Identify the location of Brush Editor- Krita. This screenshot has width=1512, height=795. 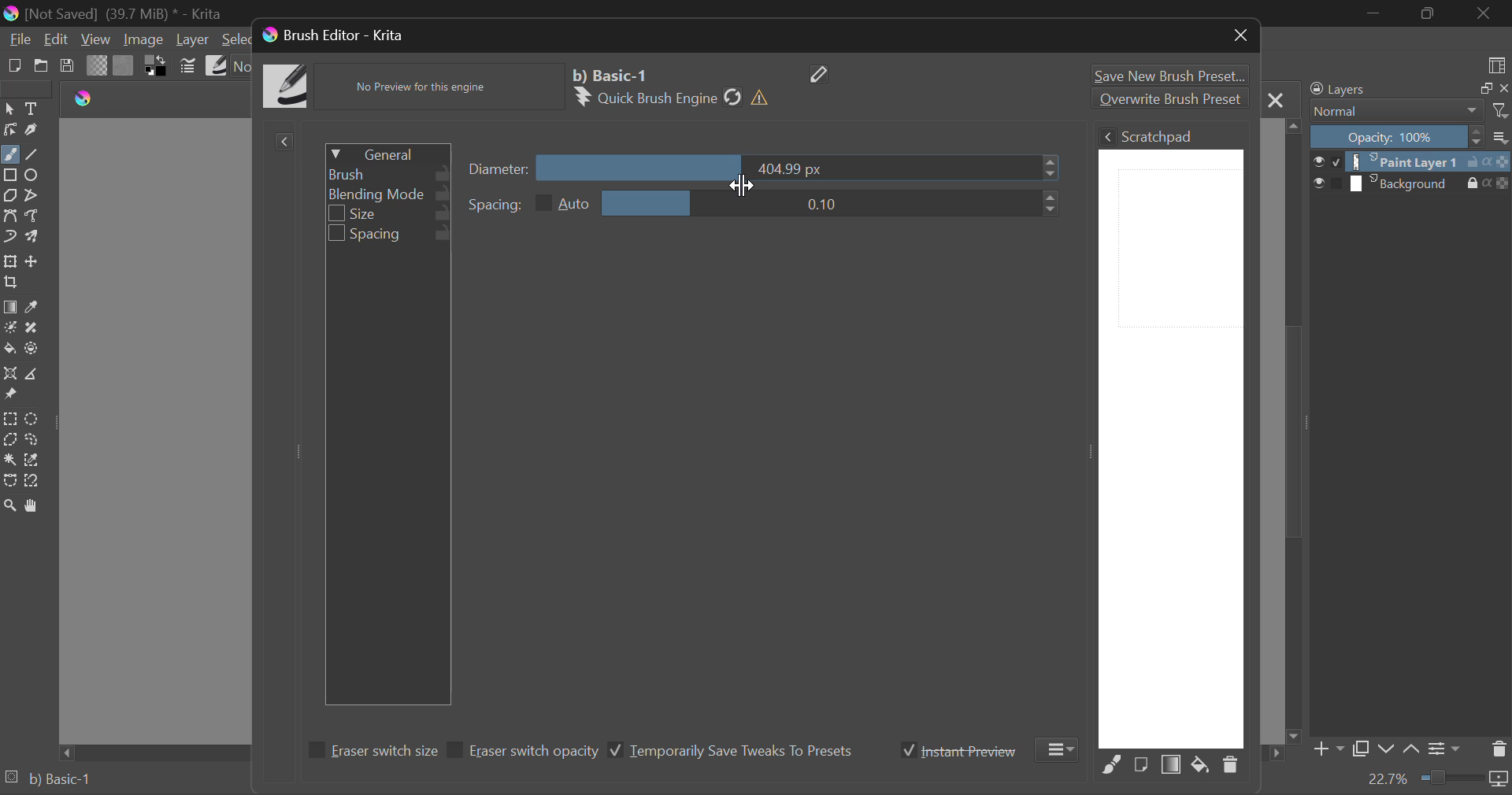
(332, 35).